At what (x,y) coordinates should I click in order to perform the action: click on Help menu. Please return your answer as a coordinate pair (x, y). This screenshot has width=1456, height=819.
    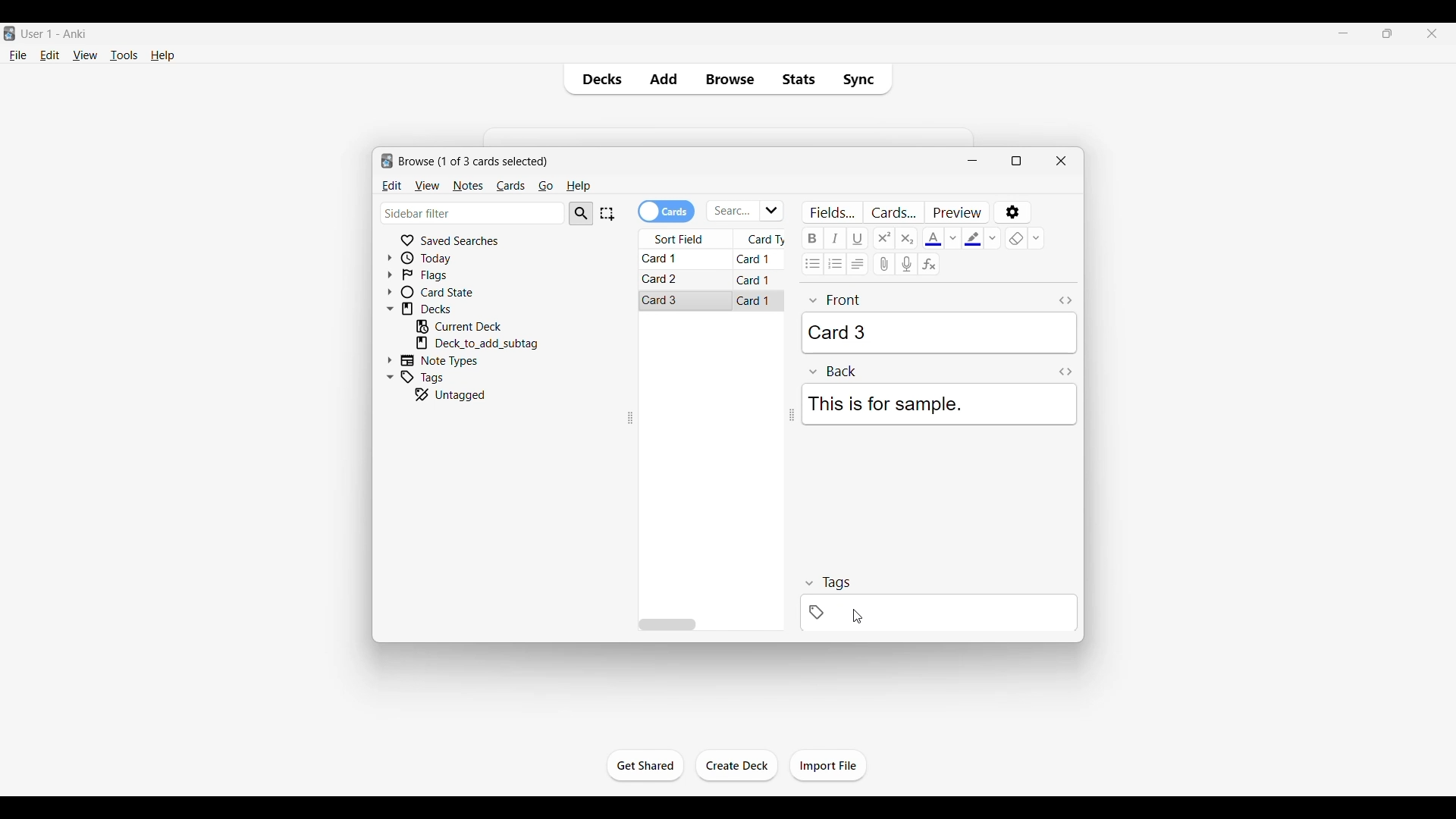
    Looking at the image, I should click on (578, 187).